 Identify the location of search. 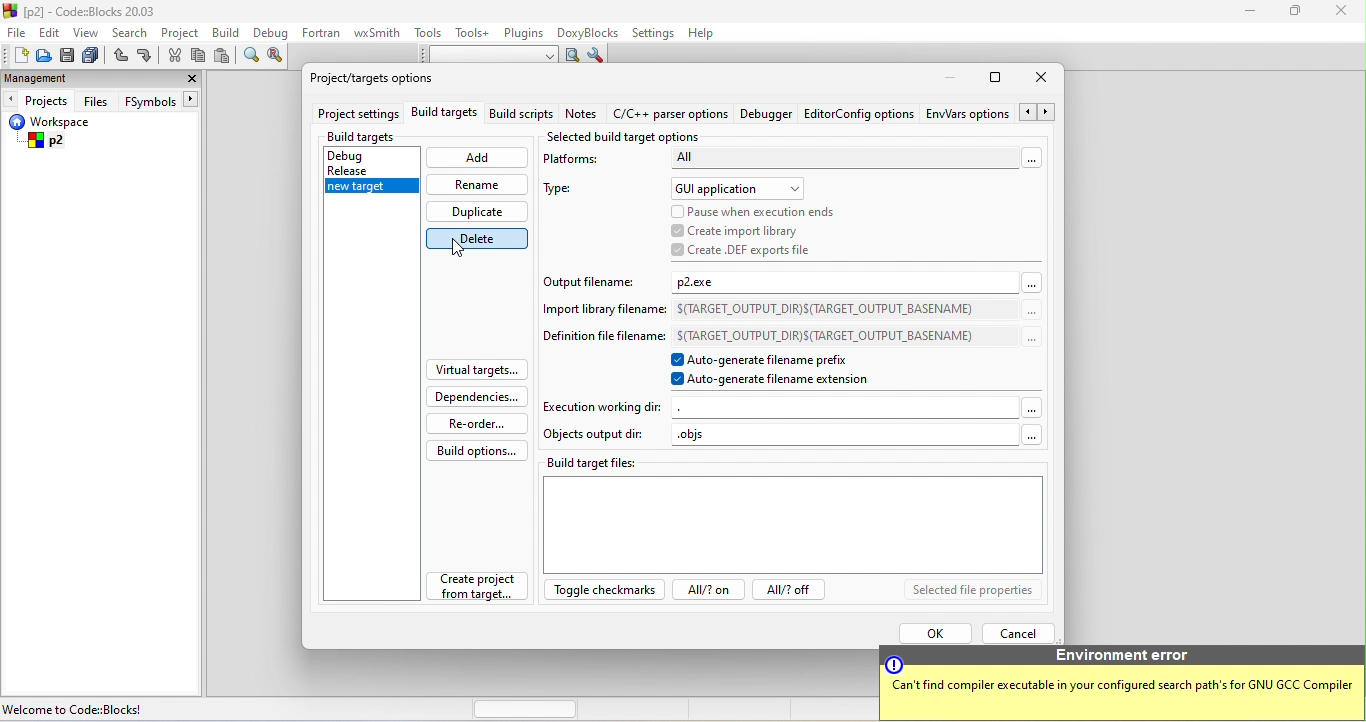
(130, 31).